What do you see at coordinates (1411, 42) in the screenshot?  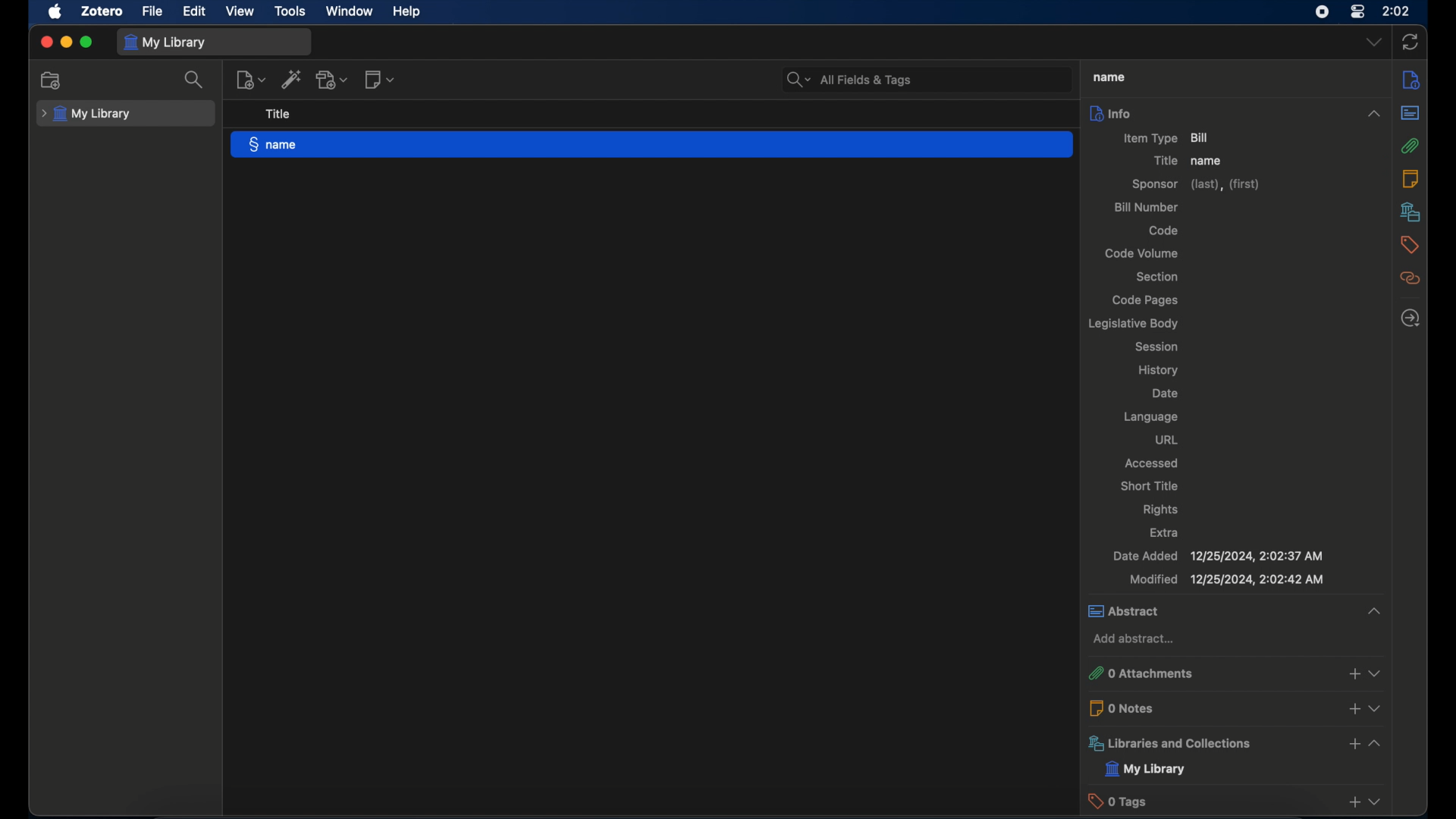 I see `sync` at bounding box center [1411, 42].